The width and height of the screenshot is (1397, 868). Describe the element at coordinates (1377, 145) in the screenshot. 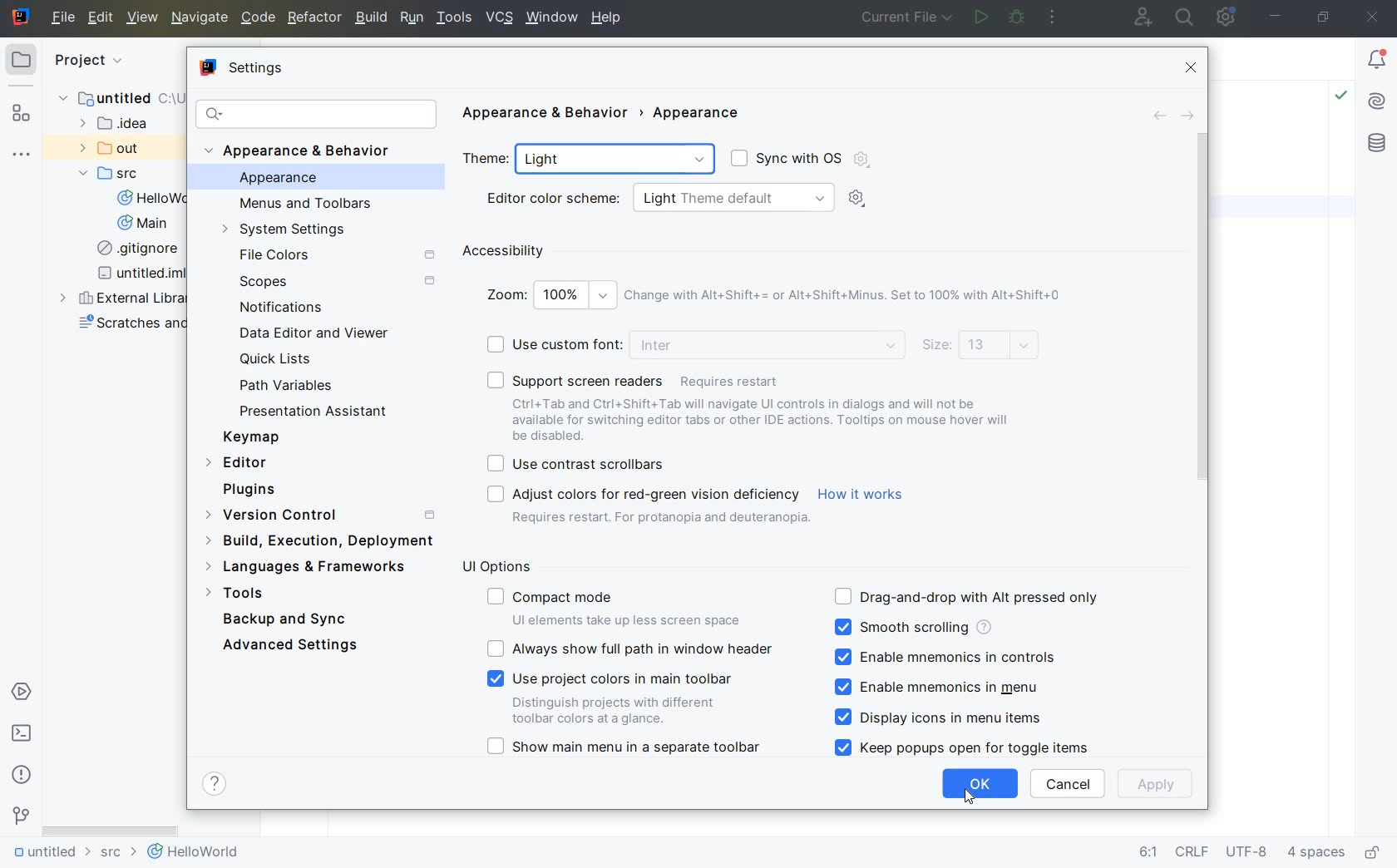

I see `DATABASE` at that location.